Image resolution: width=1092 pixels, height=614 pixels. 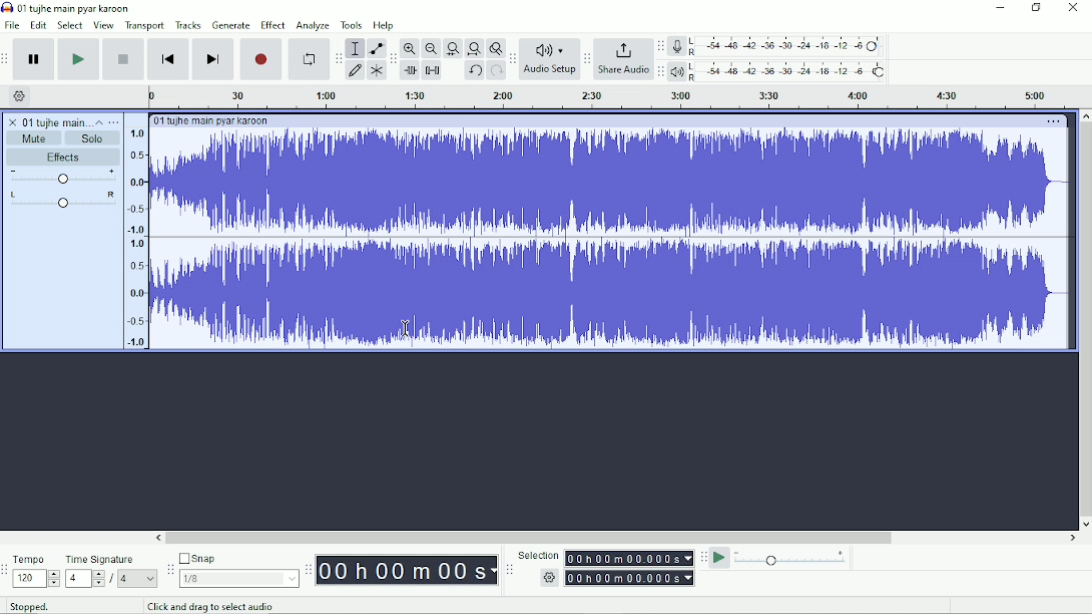 What do you see at coordinates (104, 25) in the screenshot?
I see `View` at bounding box center [104, 25].